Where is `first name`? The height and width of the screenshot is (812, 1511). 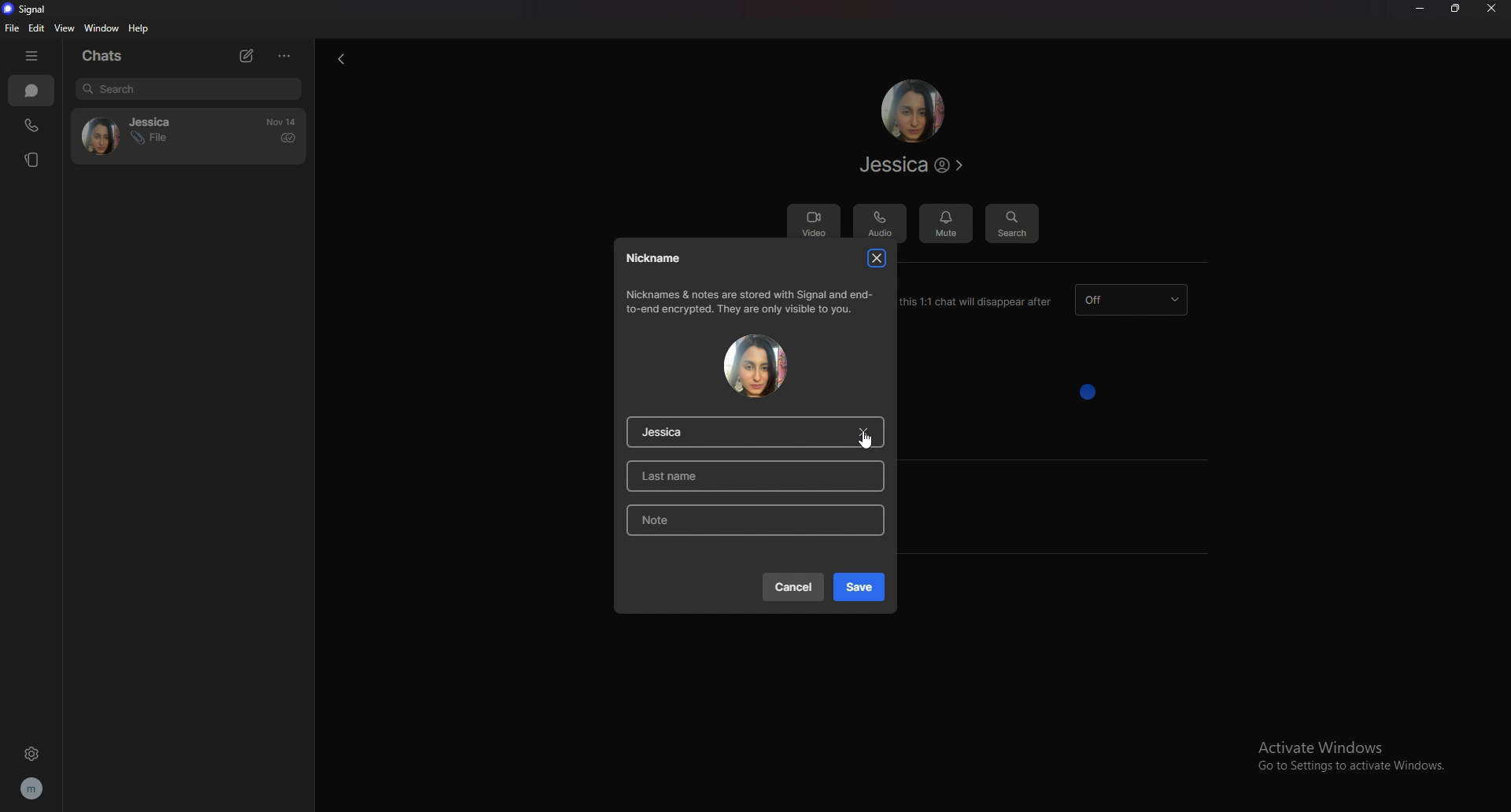 first name is located at coordinates (761, 432).